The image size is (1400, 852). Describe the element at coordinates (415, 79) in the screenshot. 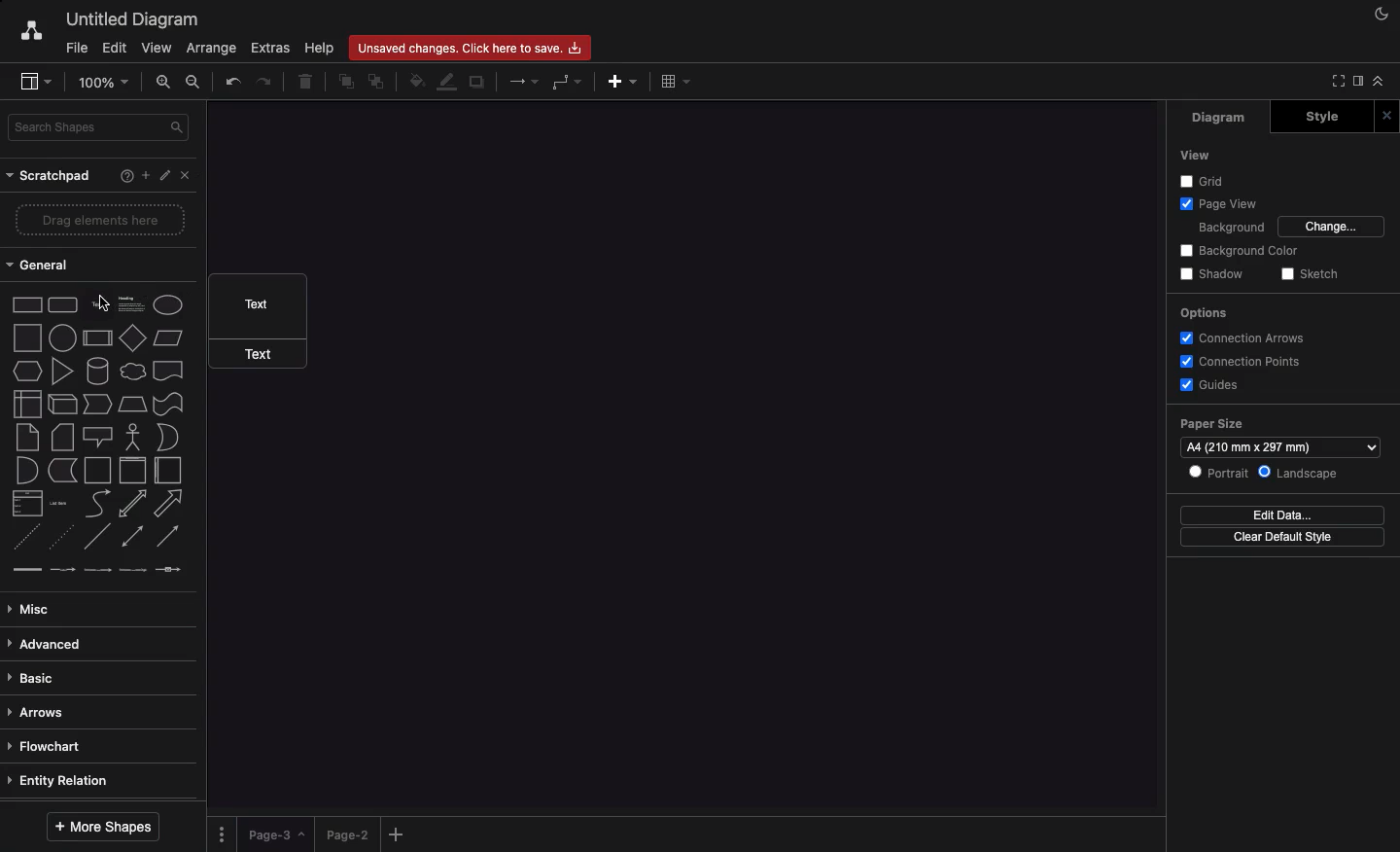

I see `Fill ` at that location.